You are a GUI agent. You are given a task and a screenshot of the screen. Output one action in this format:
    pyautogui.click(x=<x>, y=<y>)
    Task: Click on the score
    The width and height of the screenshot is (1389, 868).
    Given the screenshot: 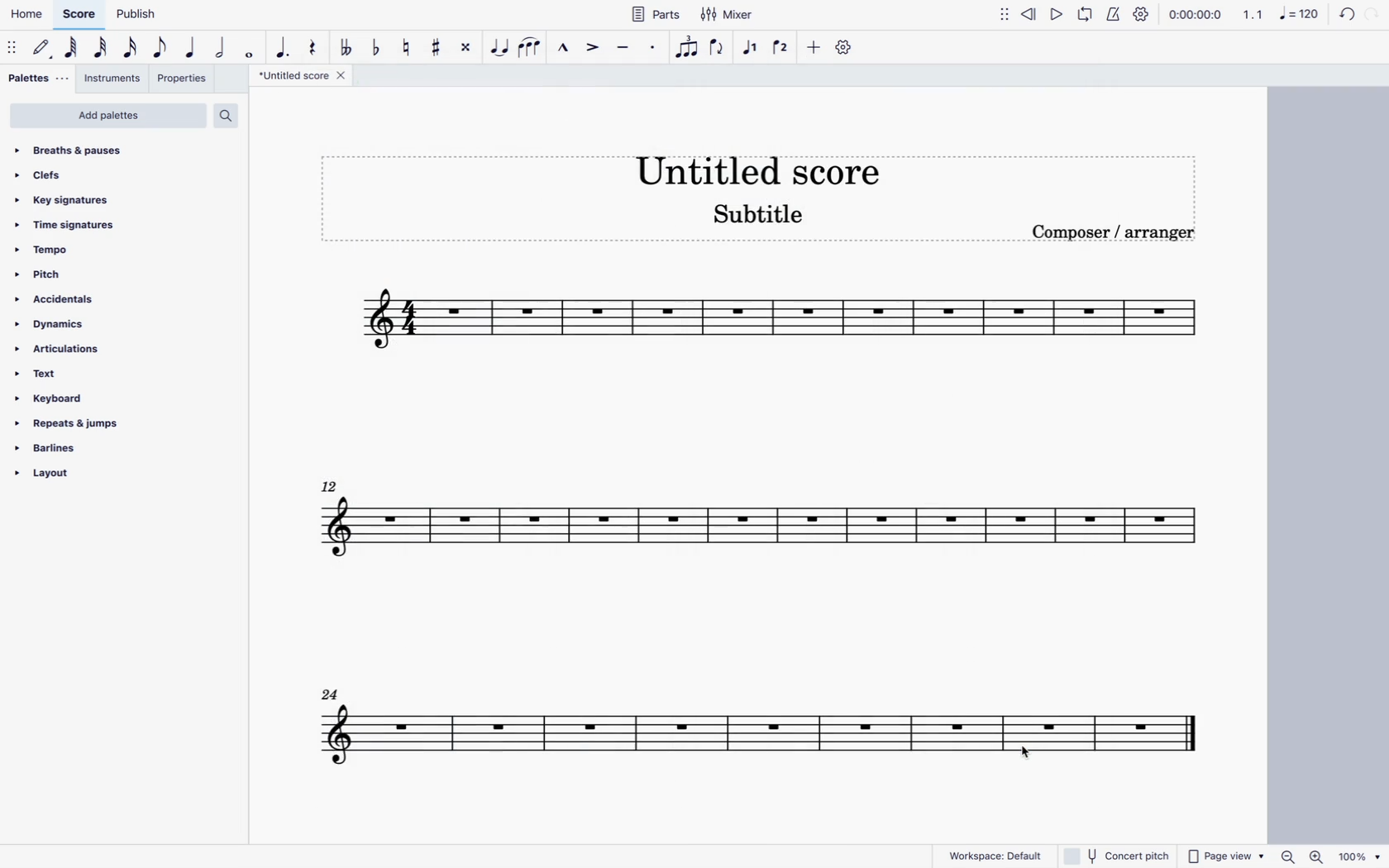 What is the action you would take?
    pyautogui.click(x=756, y=533)
    